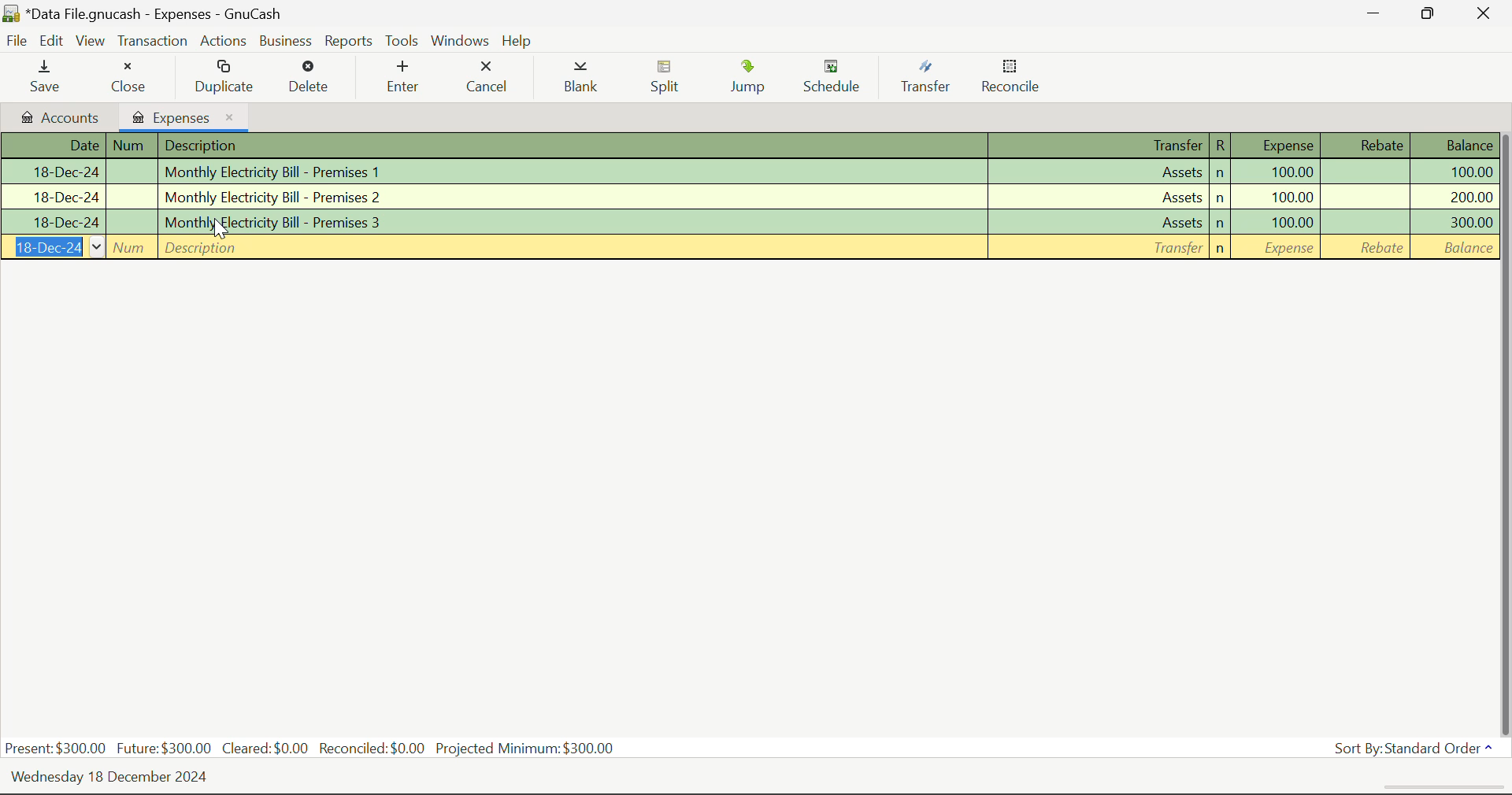  What do you see at coordinates (124, 778) in the screenshot?
I see `Wednesday 18 December 2024` at bounding box center [124, 778].